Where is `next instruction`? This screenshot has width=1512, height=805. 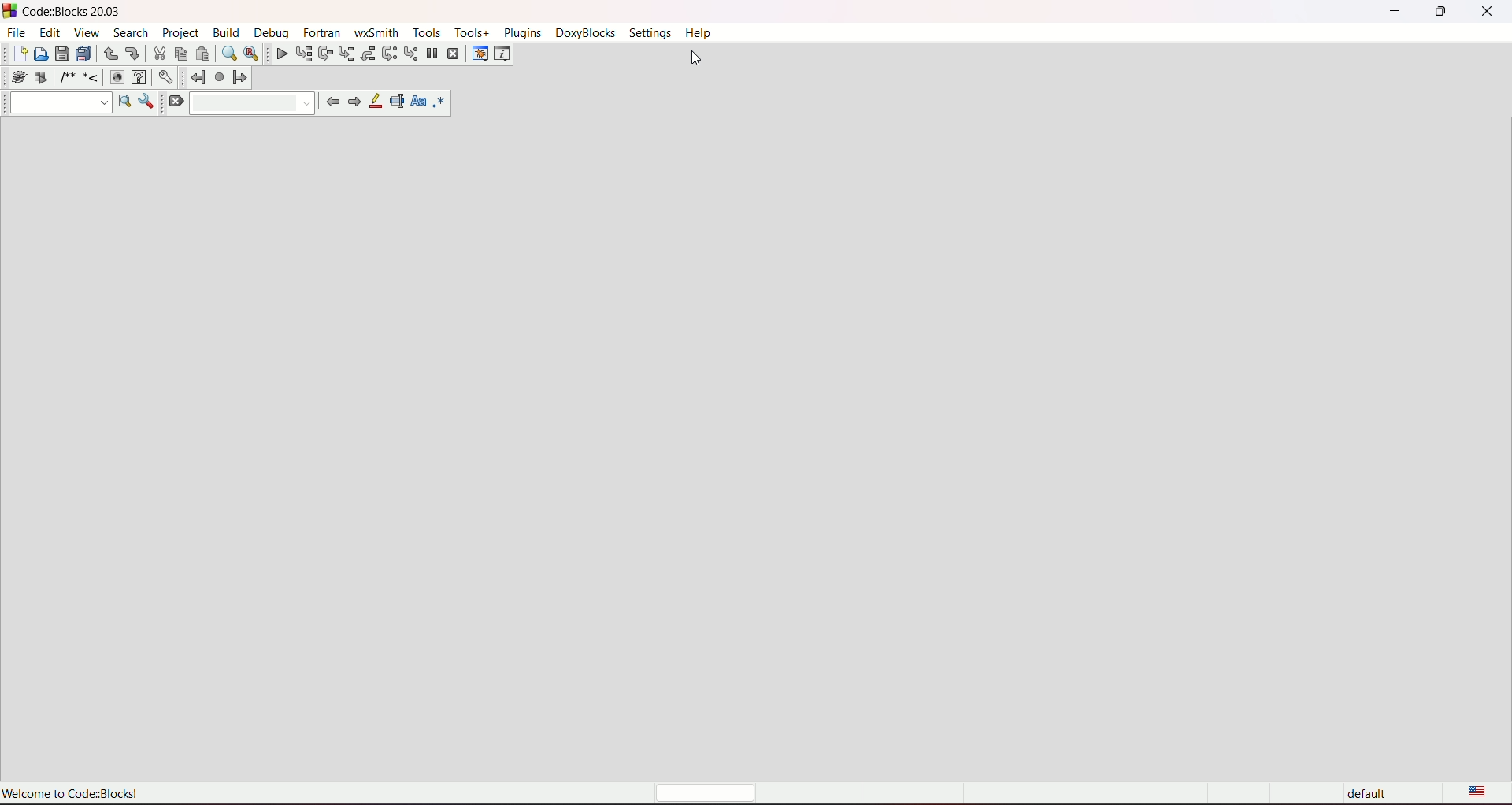 next instruction is located at coordinates (390, 52).